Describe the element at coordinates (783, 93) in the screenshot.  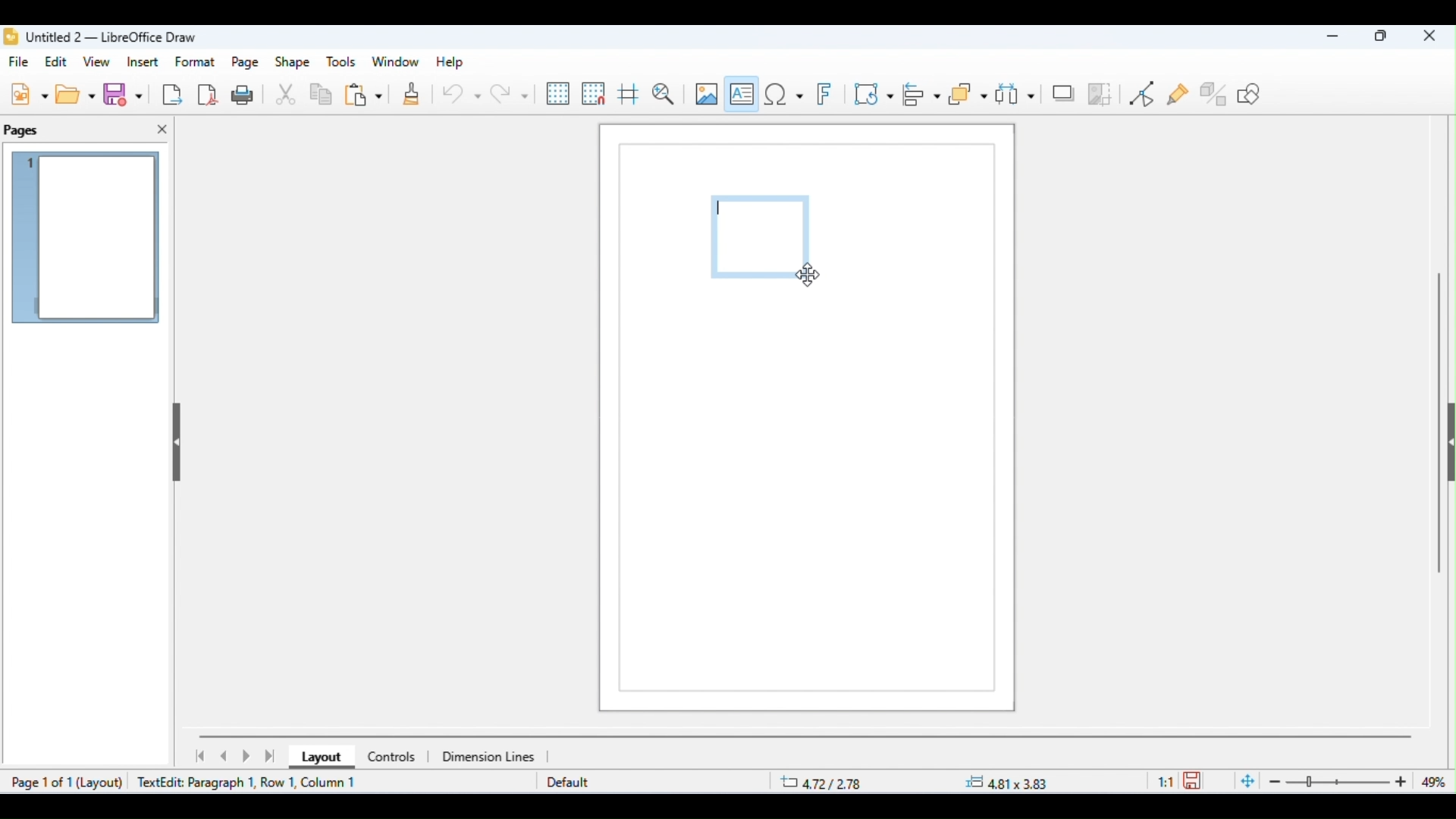
I see `insert special characters` at that location.